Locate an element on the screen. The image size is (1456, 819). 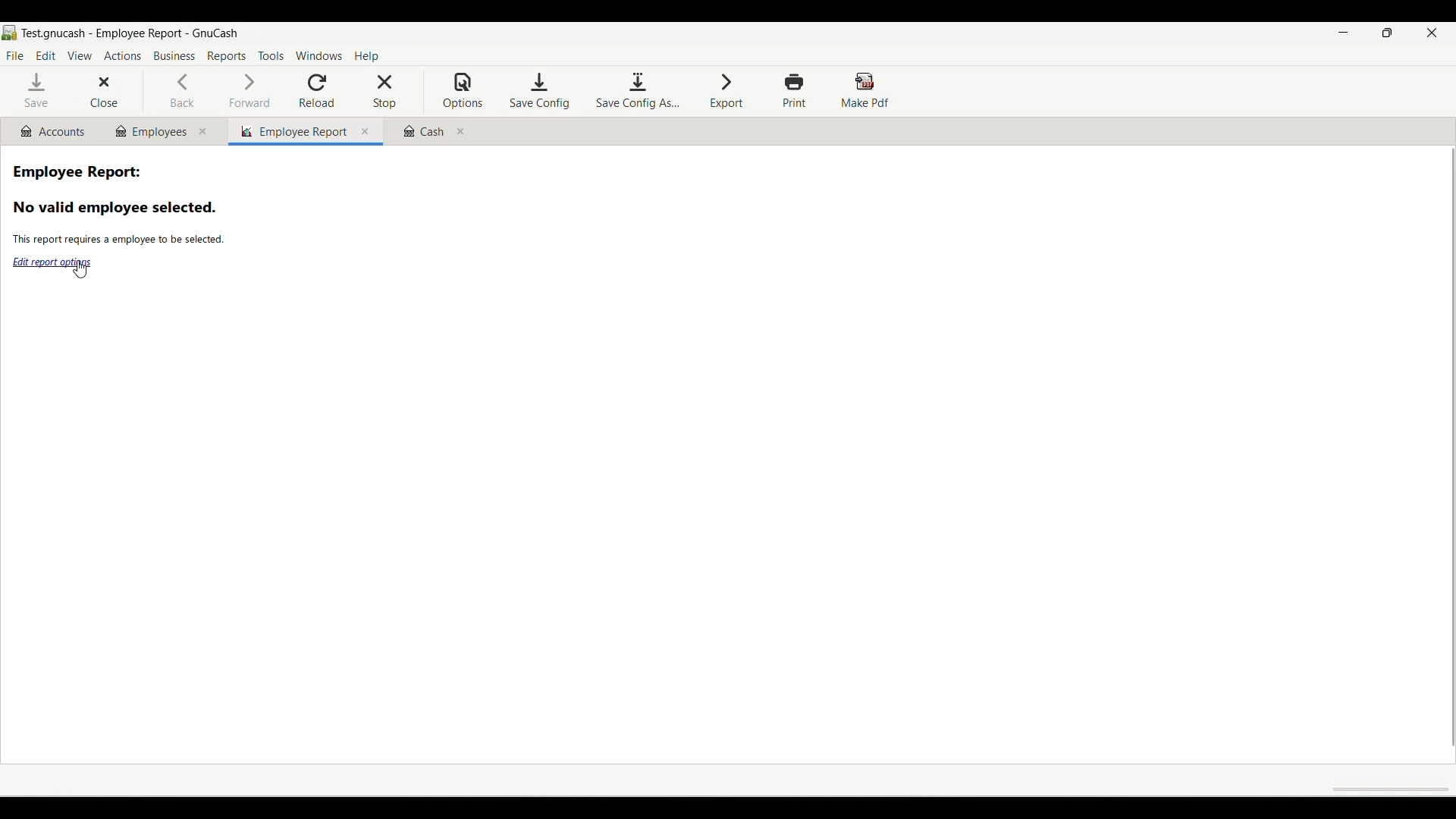
Export is located at coordinates (726, 91).